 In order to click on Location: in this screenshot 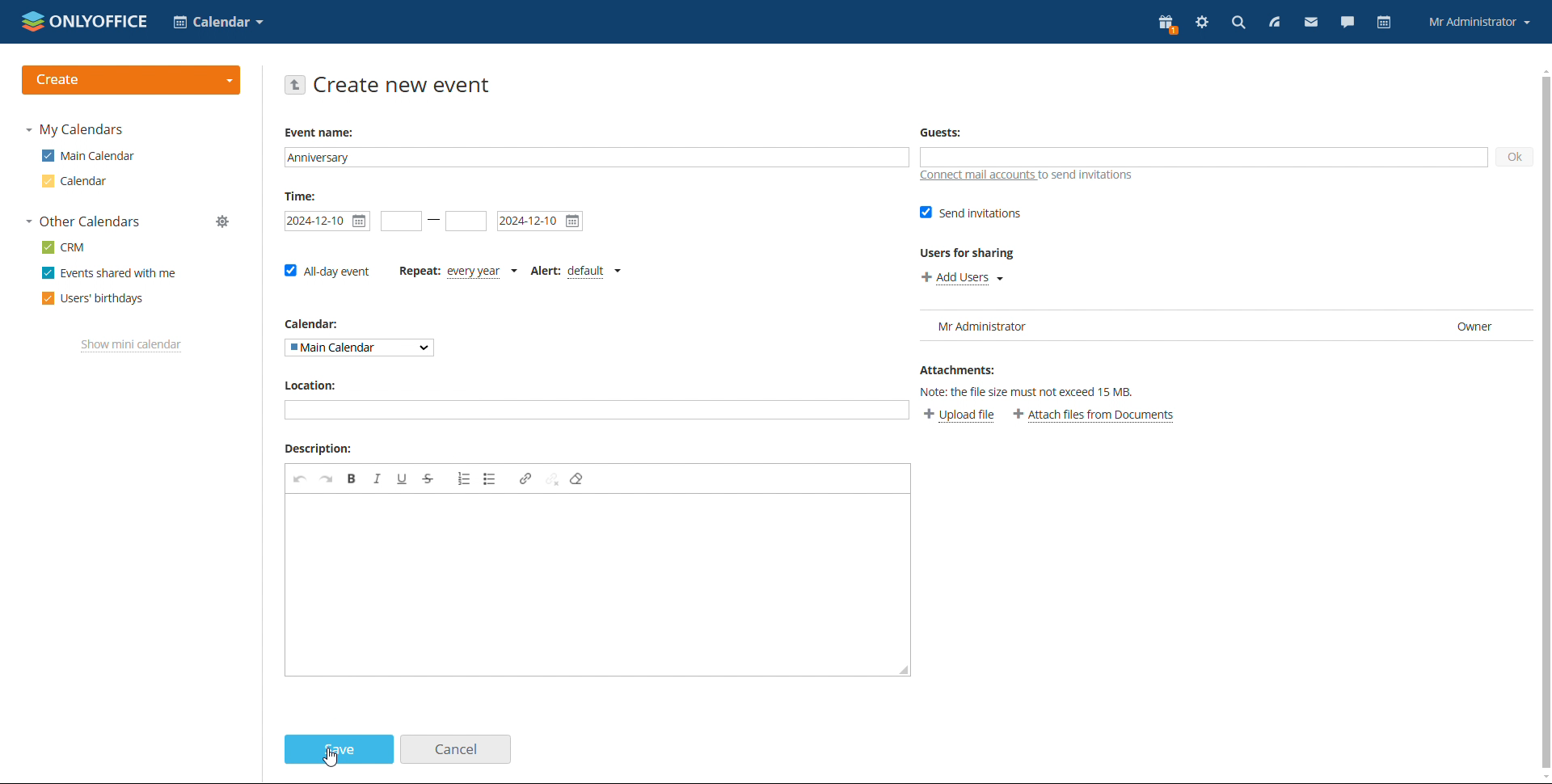, I will do `click(308, 386)`.